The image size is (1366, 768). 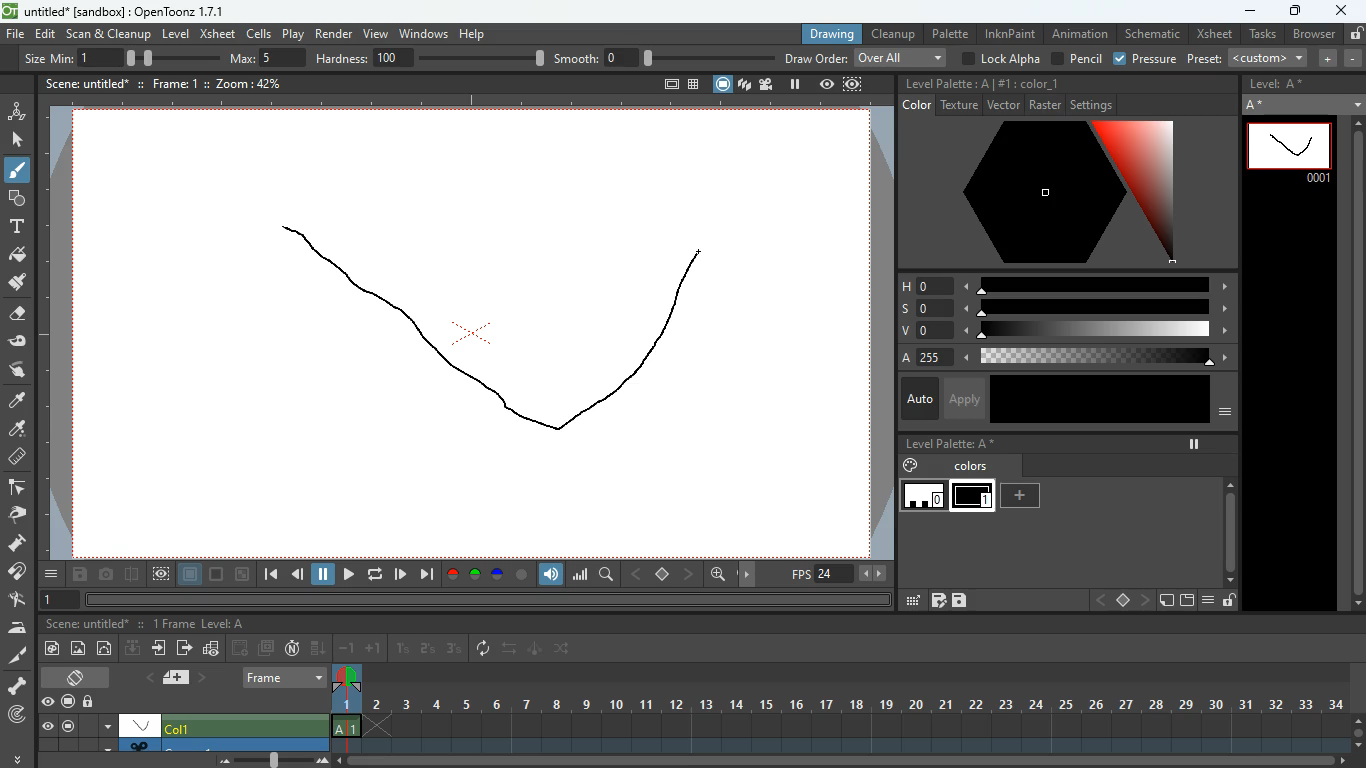 I want to click on animation, so click(x=1082, y=34).